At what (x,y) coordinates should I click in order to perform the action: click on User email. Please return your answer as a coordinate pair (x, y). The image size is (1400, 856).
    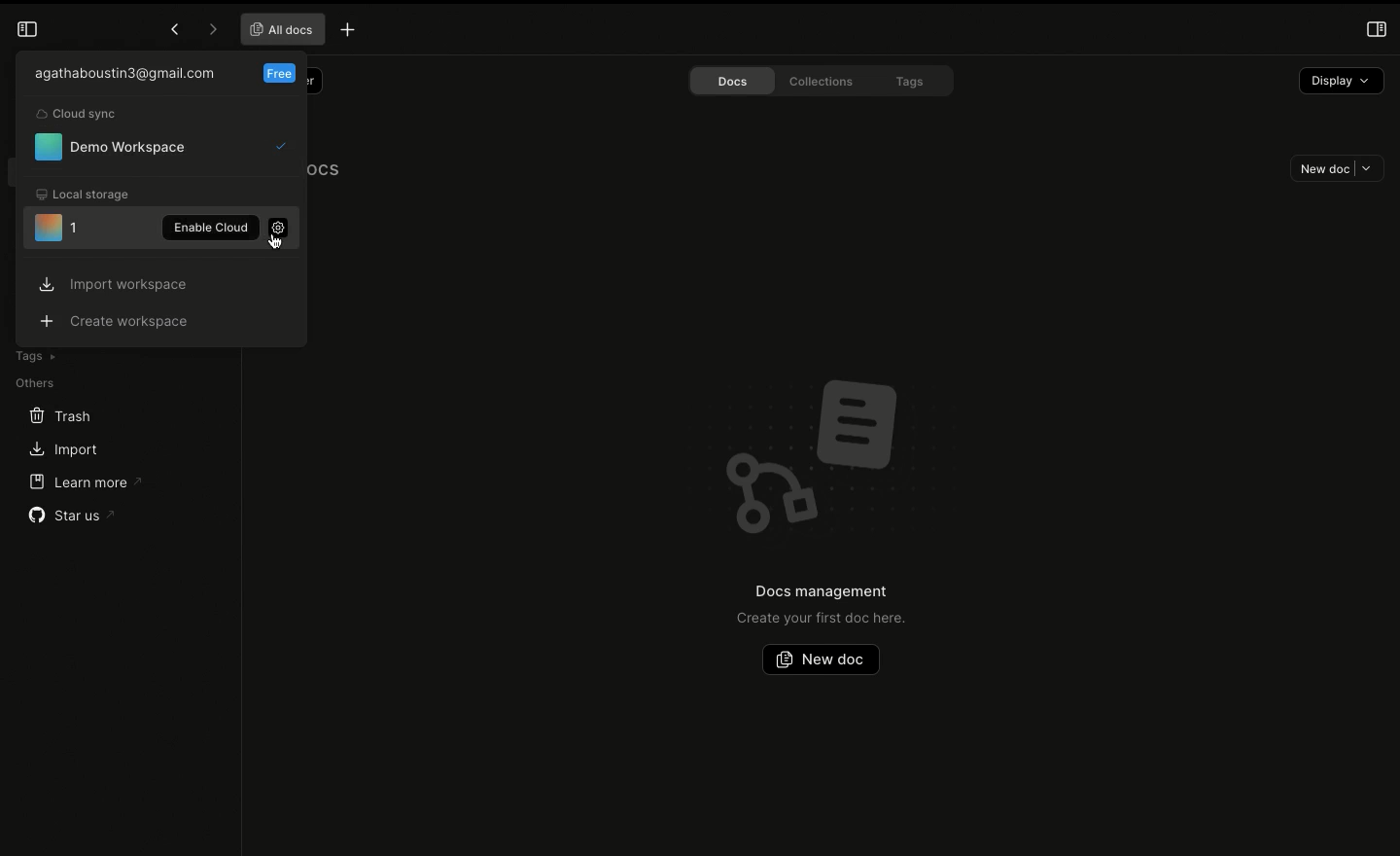
    Looking at the image, I should click on (129, 75).